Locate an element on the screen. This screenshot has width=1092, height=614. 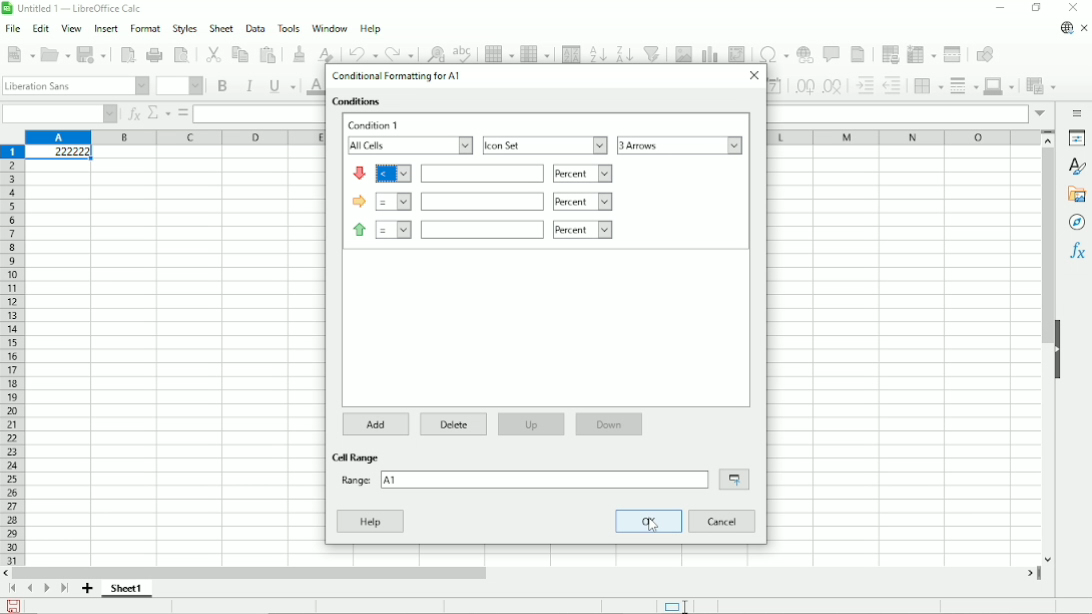
icon condition is located at coordinates (449, 201).